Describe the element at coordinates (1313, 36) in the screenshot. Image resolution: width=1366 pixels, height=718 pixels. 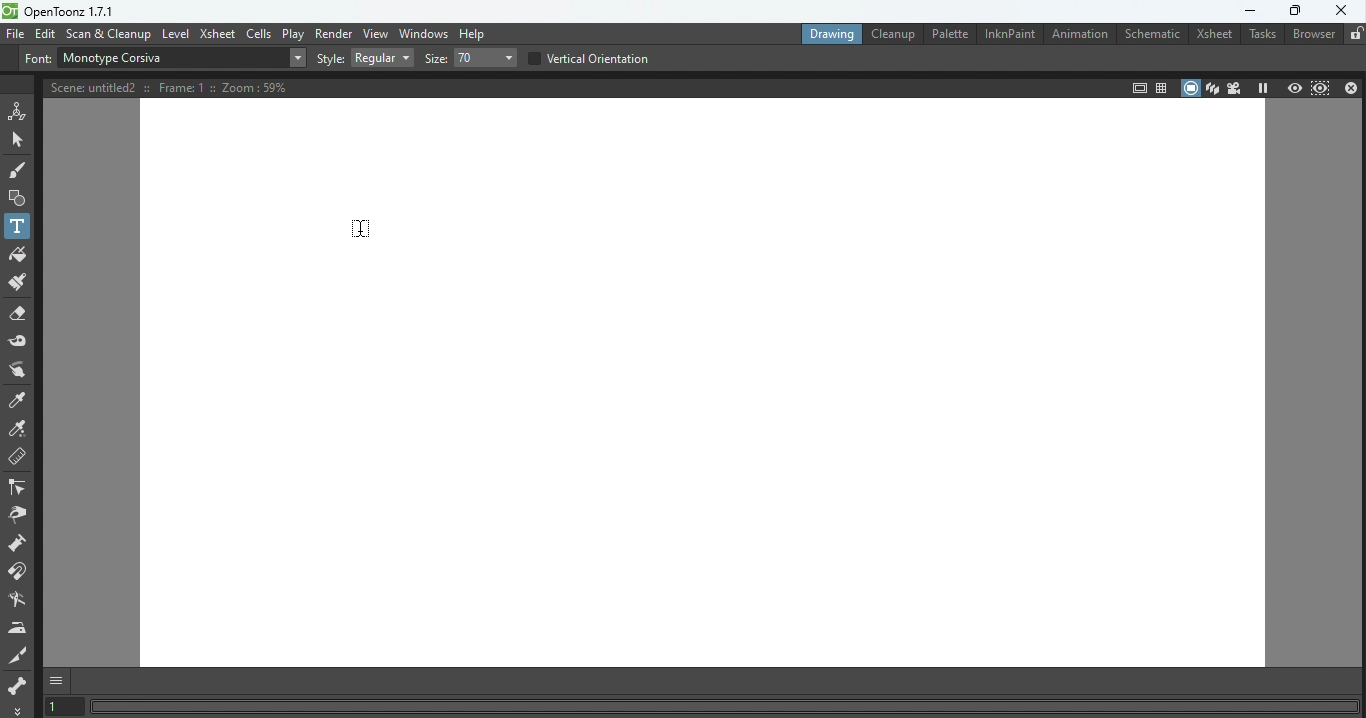
I see `Browser` at that location.